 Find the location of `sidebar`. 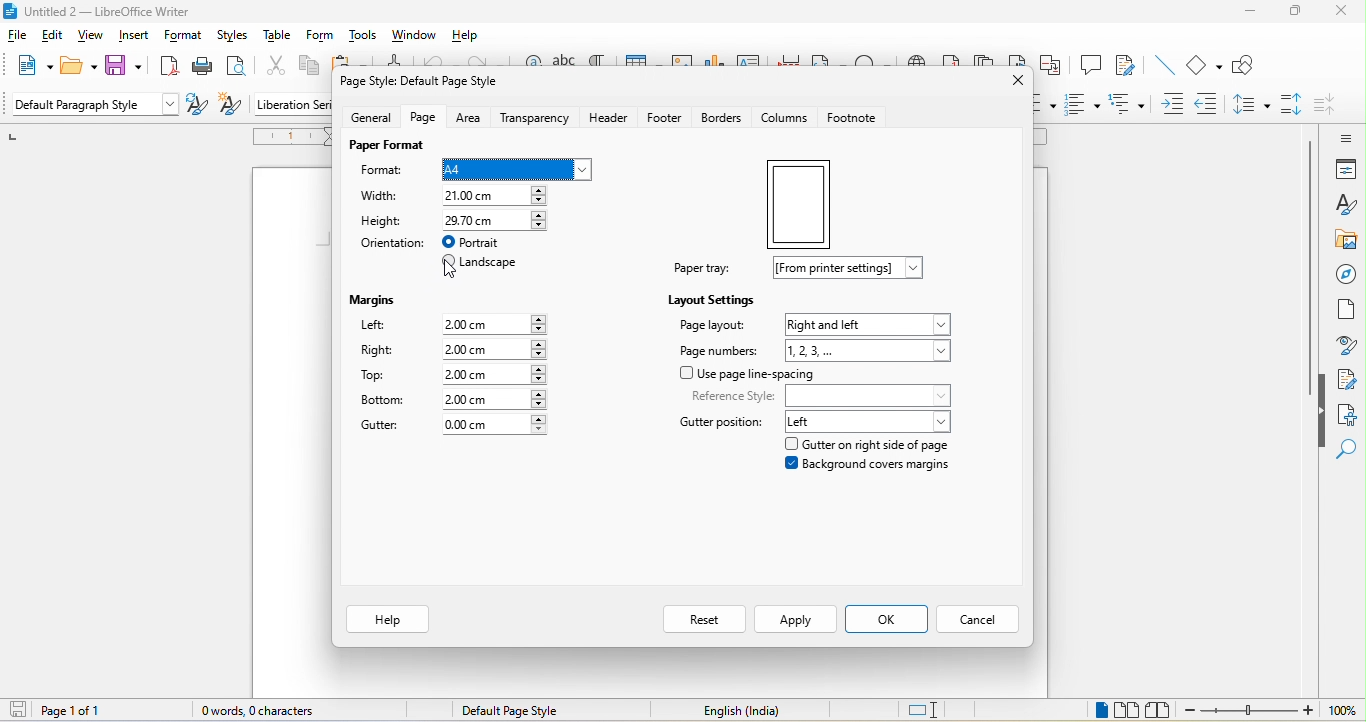

sidebar is located at coordinates (1339, 136).